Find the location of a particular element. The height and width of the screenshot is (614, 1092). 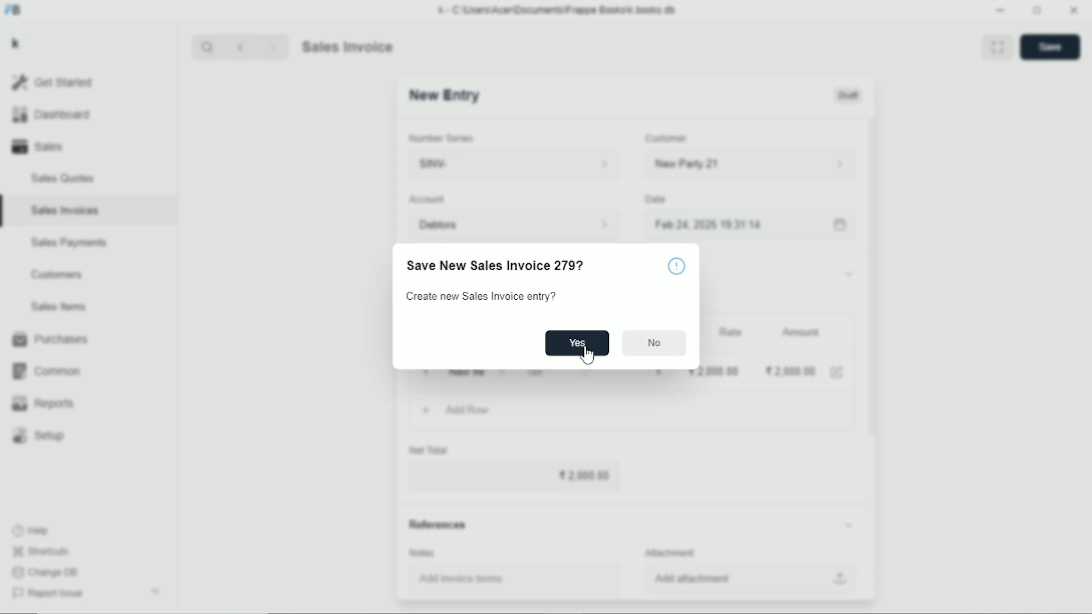

2000.00 is located at coordinates (713, 372).